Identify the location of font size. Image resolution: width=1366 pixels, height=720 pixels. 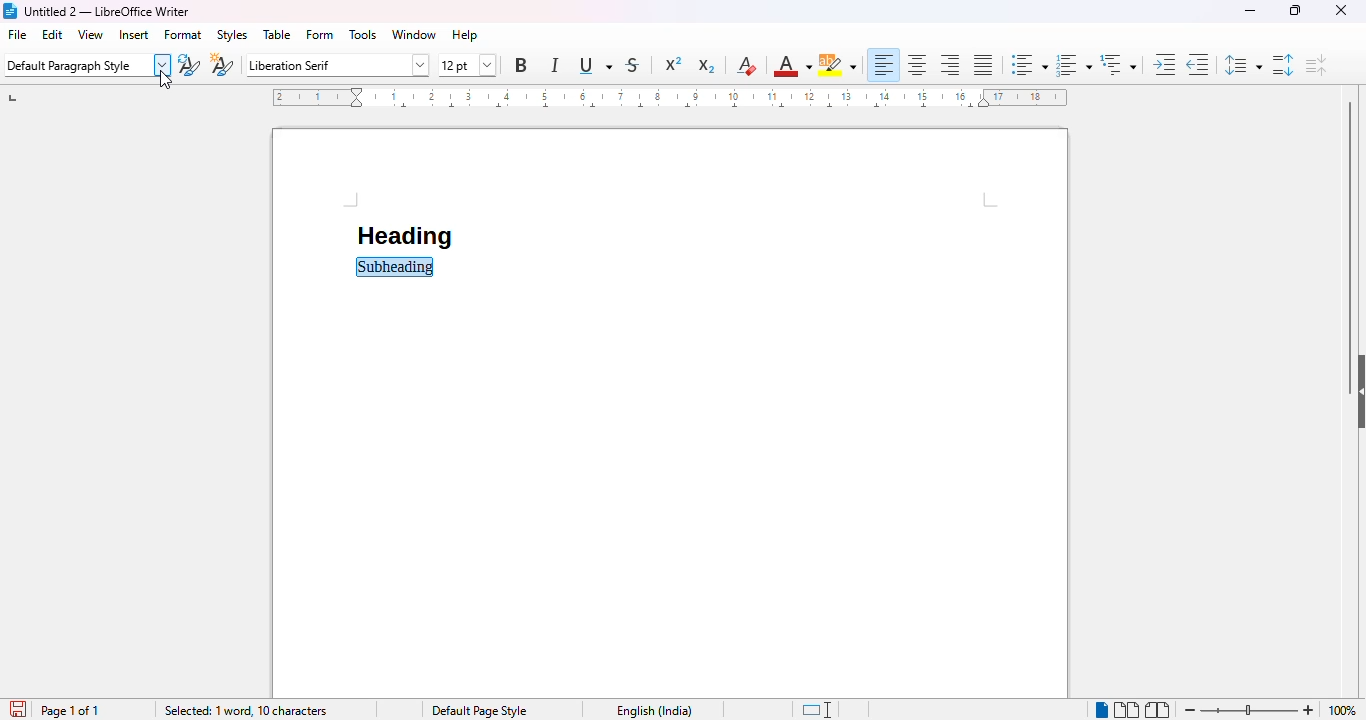
(468, 66).